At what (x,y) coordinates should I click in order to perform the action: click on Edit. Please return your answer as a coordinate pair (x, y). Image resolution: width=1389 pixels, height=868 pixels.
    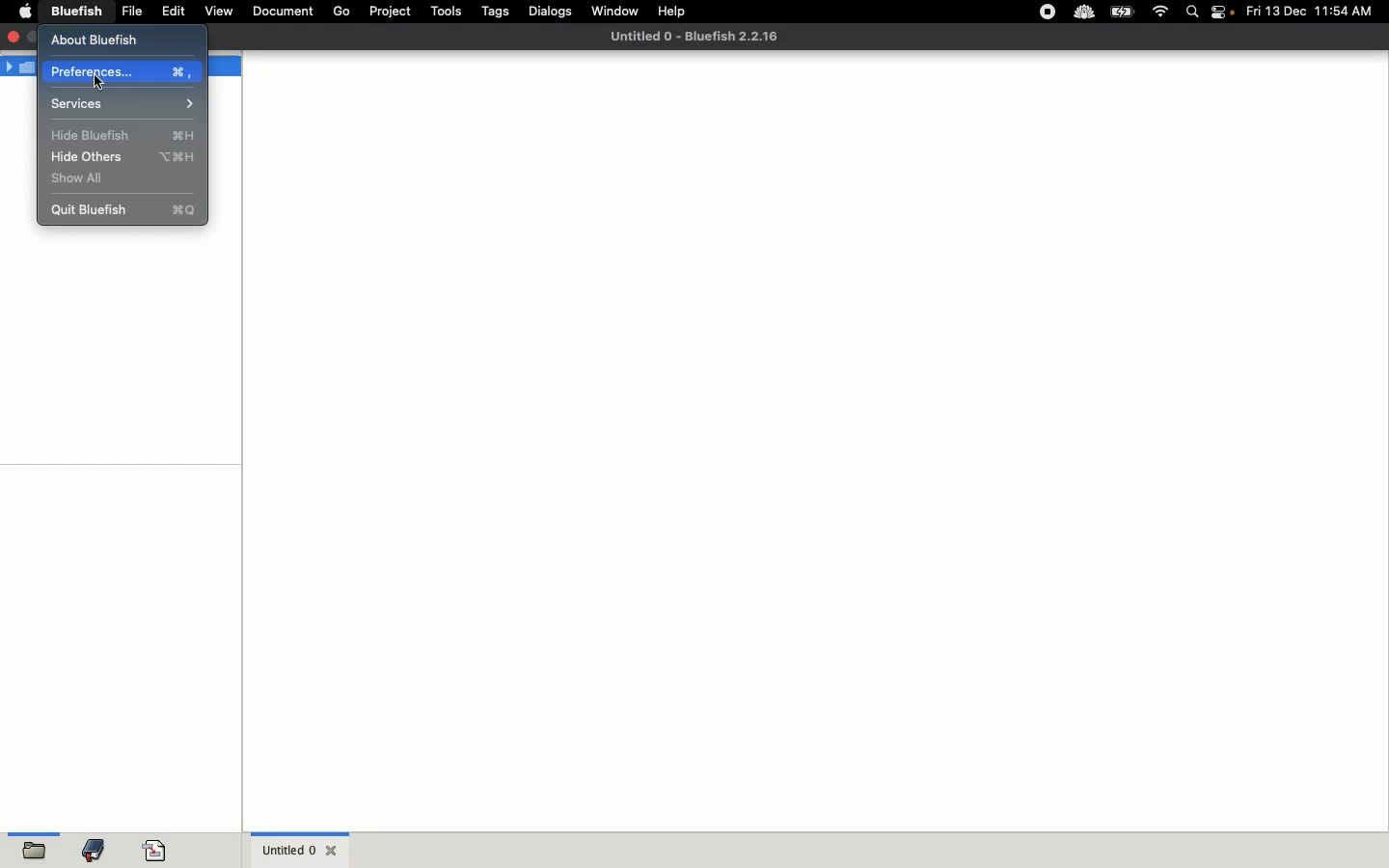
    Looking at the image, I should click on (174, 11).